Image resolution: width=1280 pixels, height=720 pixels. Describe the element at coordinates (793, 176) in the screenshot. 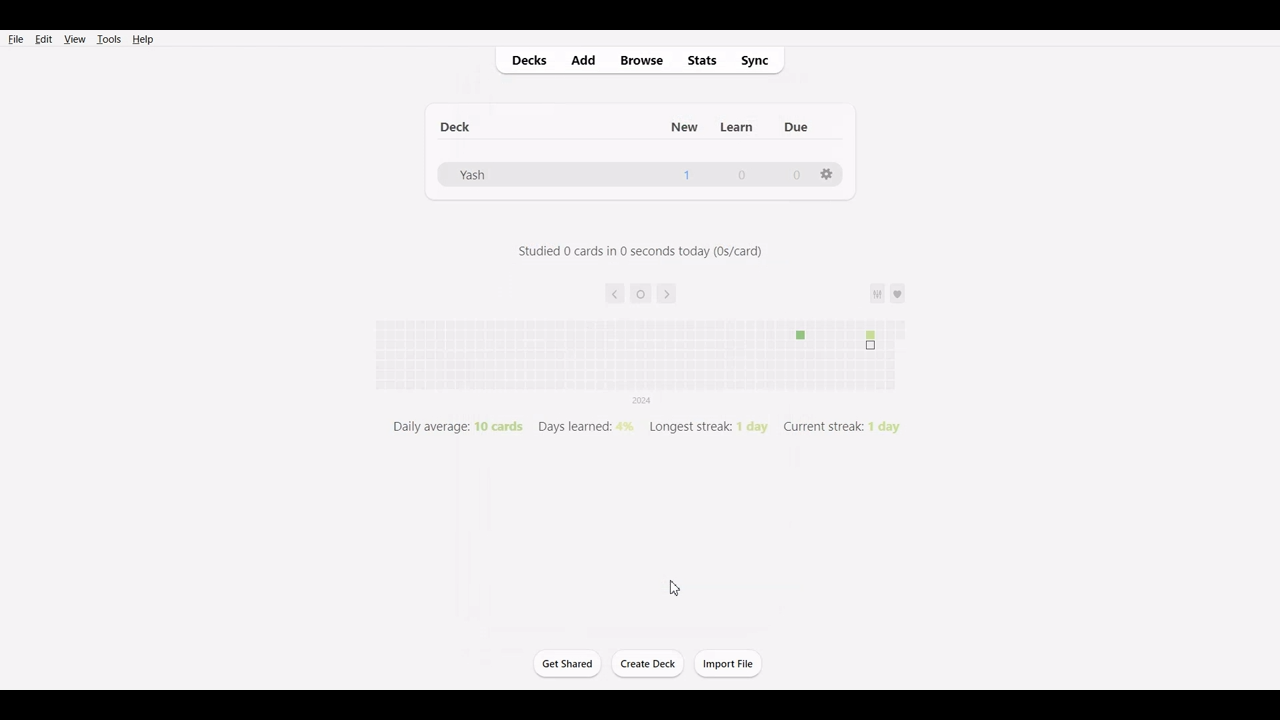

I see `0` at that location.